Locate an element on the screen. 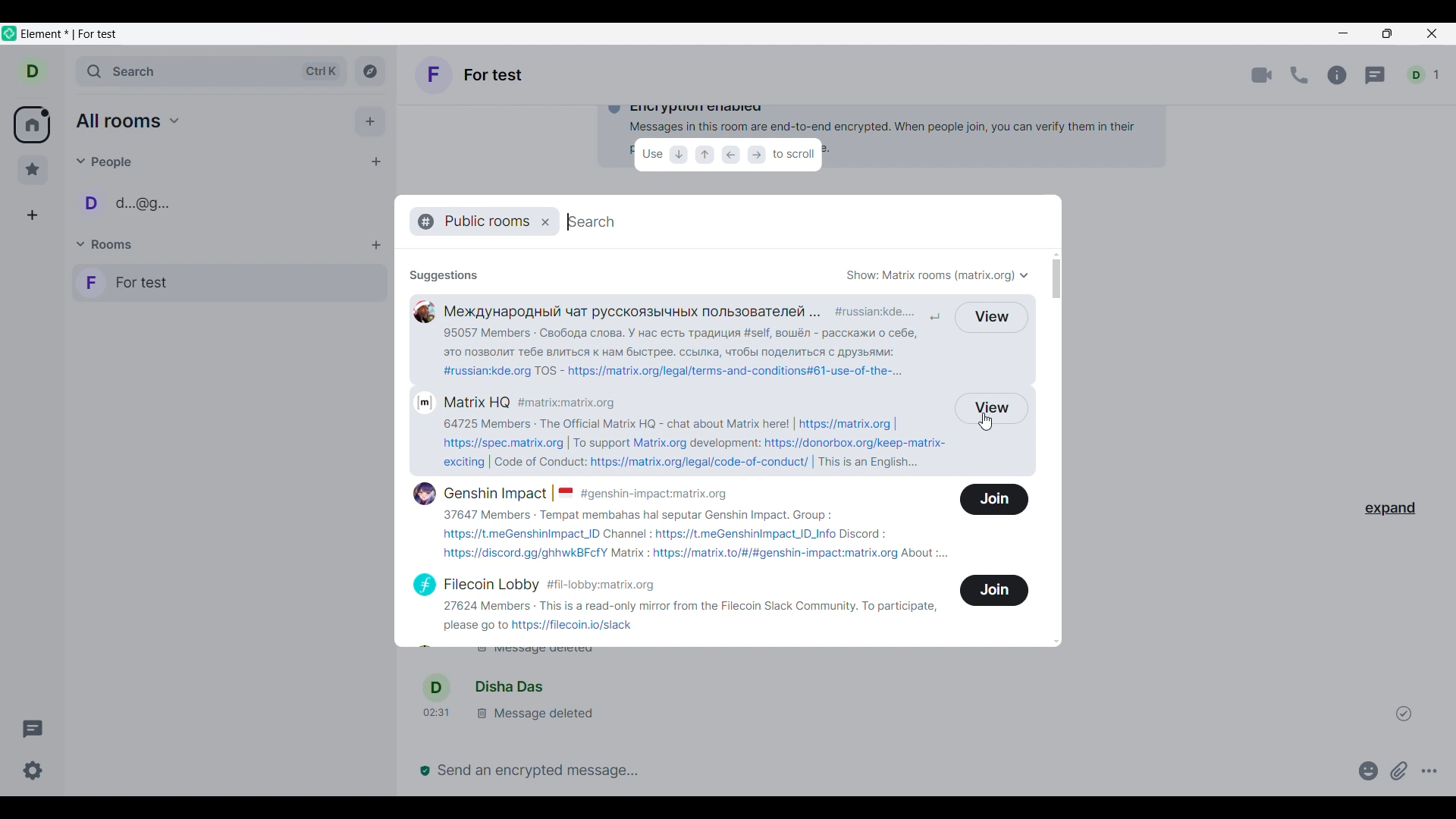  Matrix HQ #matrix:matrix.org is located at coordinates (531, 400).